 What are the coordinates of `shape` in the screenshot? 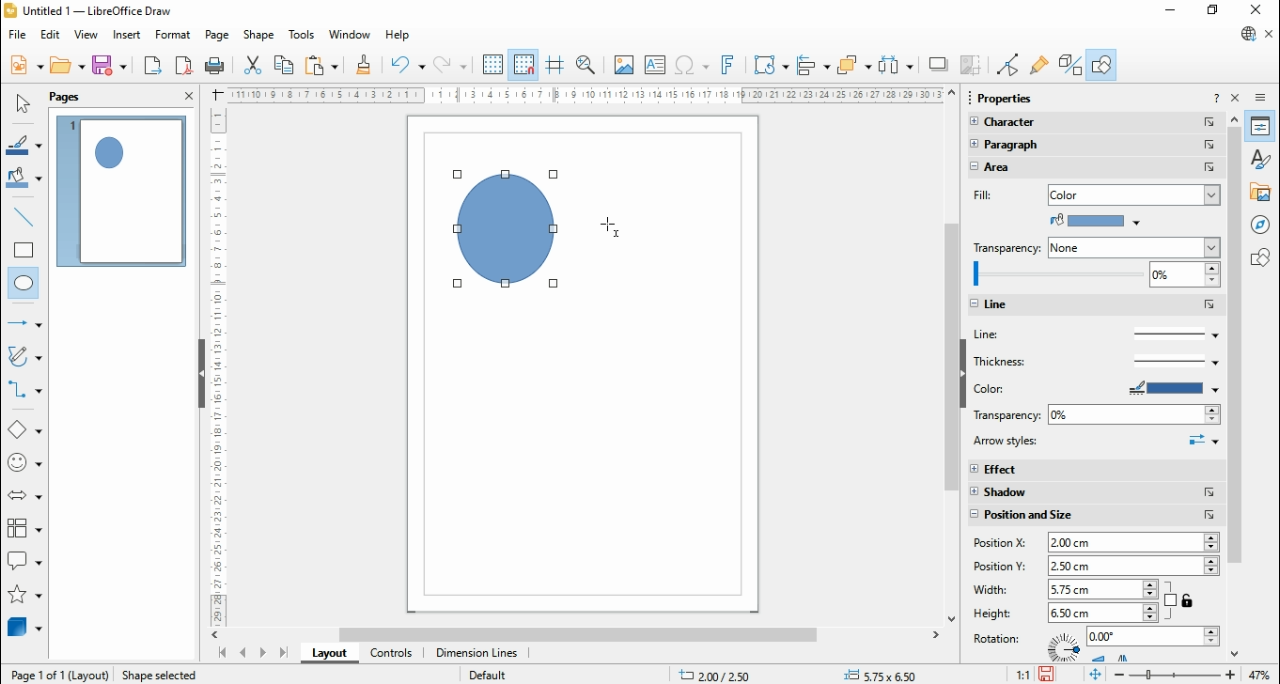 It's located at (258, 35).